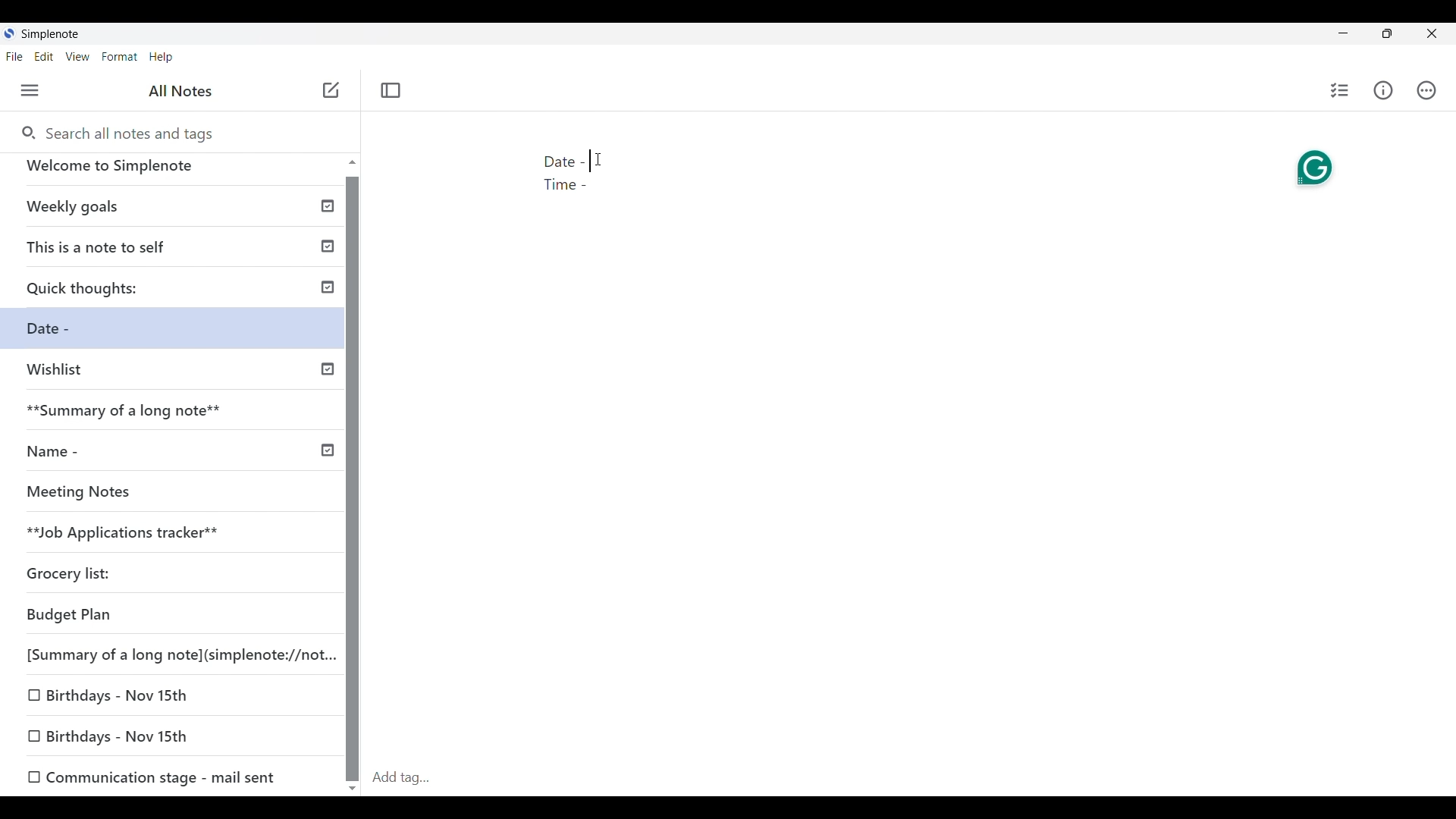  Describe the element at coordinates (115, 737) in the screenshot. I see `Unpublished note` at that location.